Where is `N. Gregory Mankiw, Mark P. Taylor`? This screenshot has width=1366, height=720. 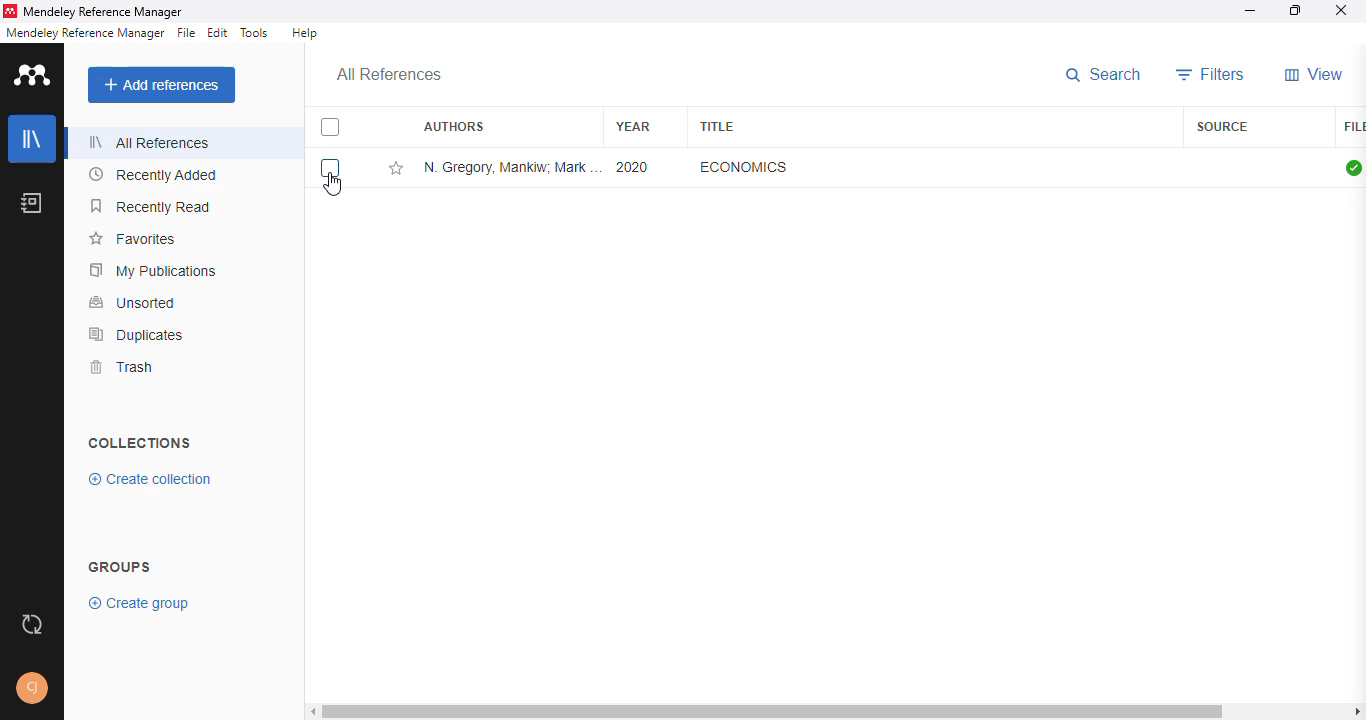
N. Gregory Mankiw, Mark P. Taylor is located at coordinates (511, 167).